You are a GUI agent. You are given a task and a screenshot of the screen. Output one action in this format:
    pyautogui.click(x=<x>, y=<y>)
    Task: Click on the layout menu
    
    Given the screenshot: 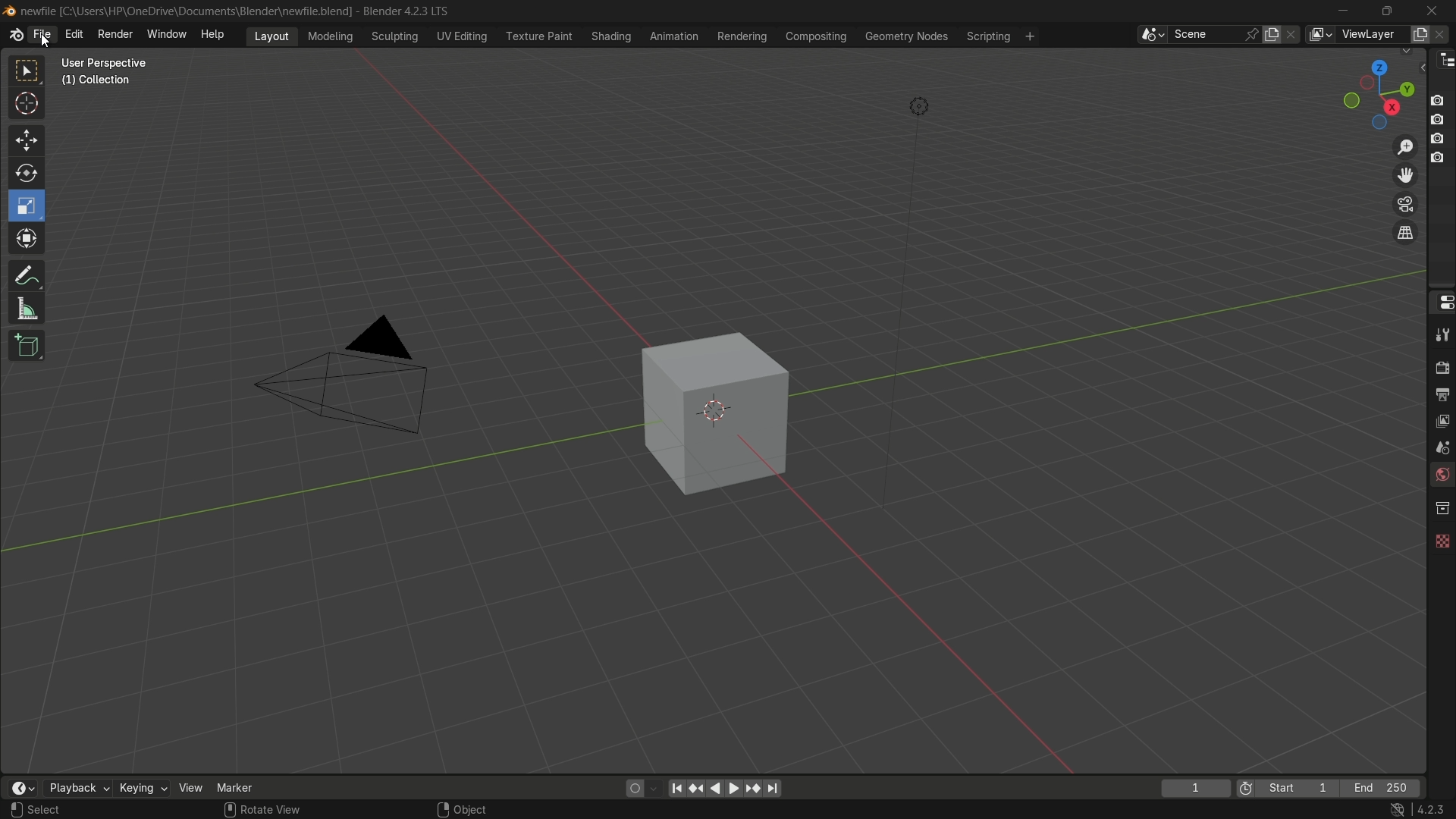 What is the action you would take?
    pyautogui.click(x=271, y=35)
    